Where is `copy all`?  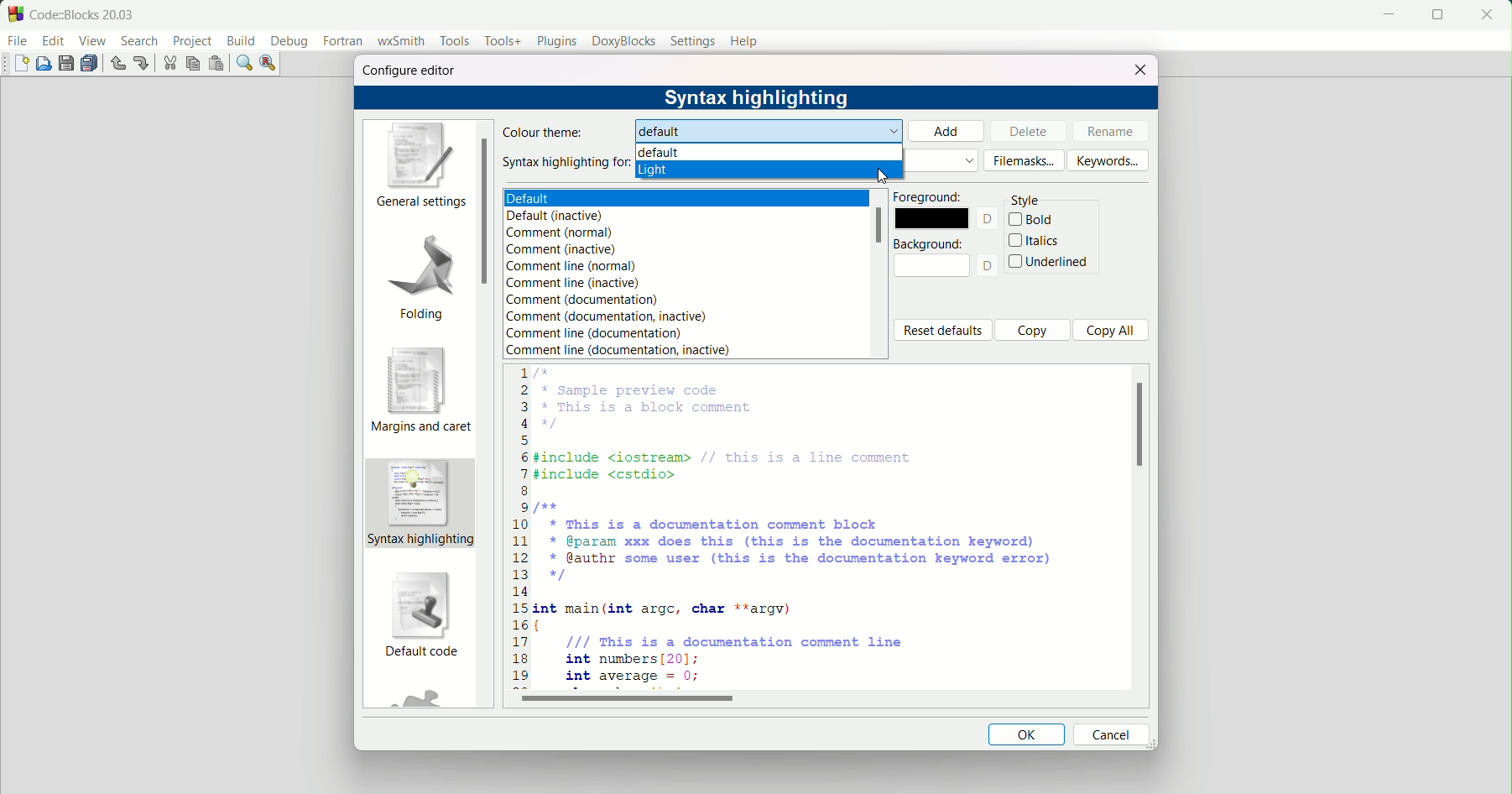
copy all is located at coordinates (1110, 331).